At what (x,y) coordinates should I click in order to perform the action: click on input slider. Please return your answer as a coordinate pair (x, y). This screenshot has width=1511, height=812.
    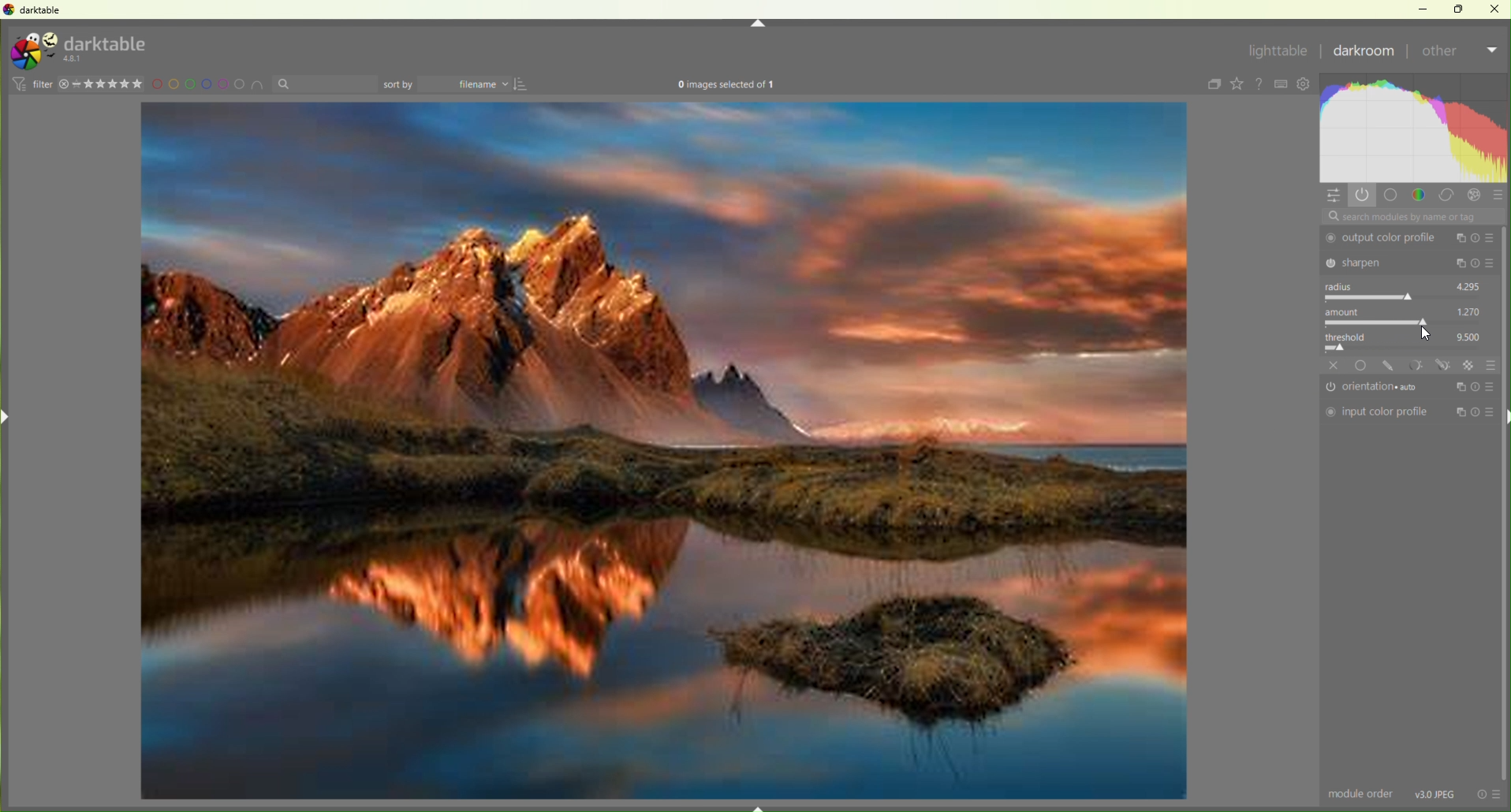
    Looking at the image, I should click on (1406, 297).